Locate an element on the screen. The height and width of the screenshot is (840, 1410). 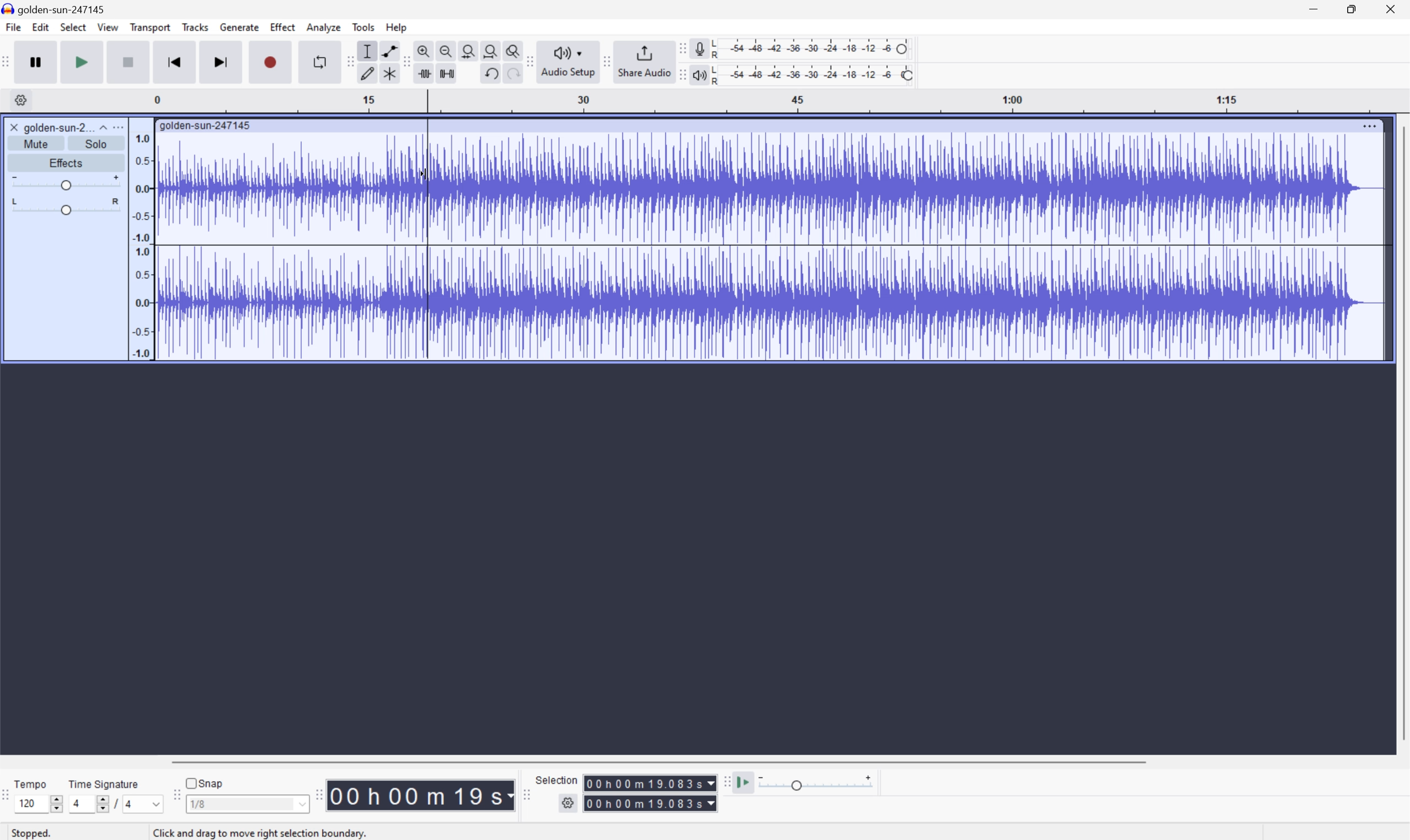
Click and drag to select audio is located at coordinates (254, 829).